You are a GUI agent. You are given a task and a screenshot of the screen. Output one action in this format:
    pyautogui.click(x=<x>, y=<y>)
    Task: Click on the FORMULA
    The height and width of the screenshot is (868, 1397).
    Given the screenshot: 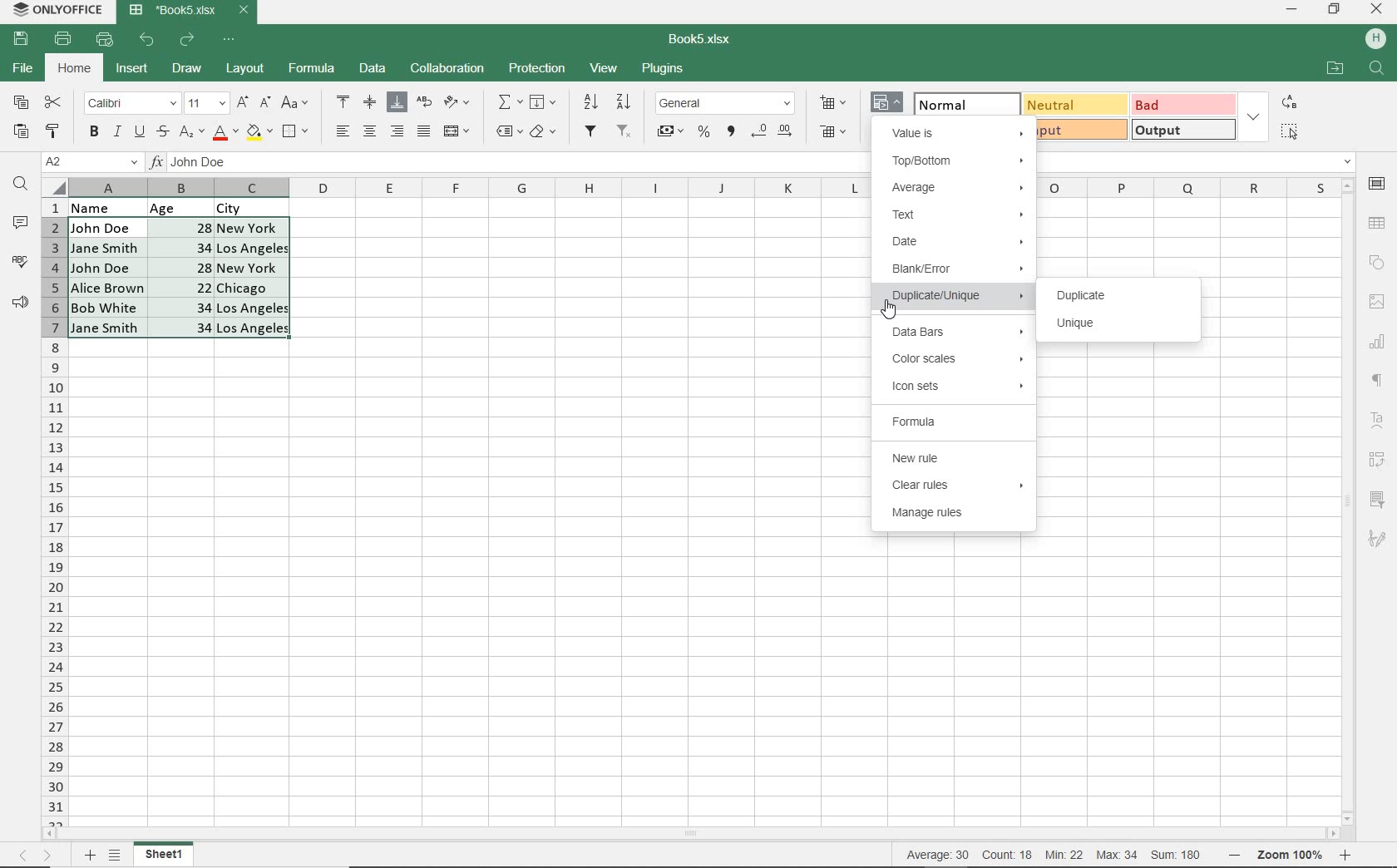 What is the action you would take?
    pyautogui.click(x=313, y=69)
    